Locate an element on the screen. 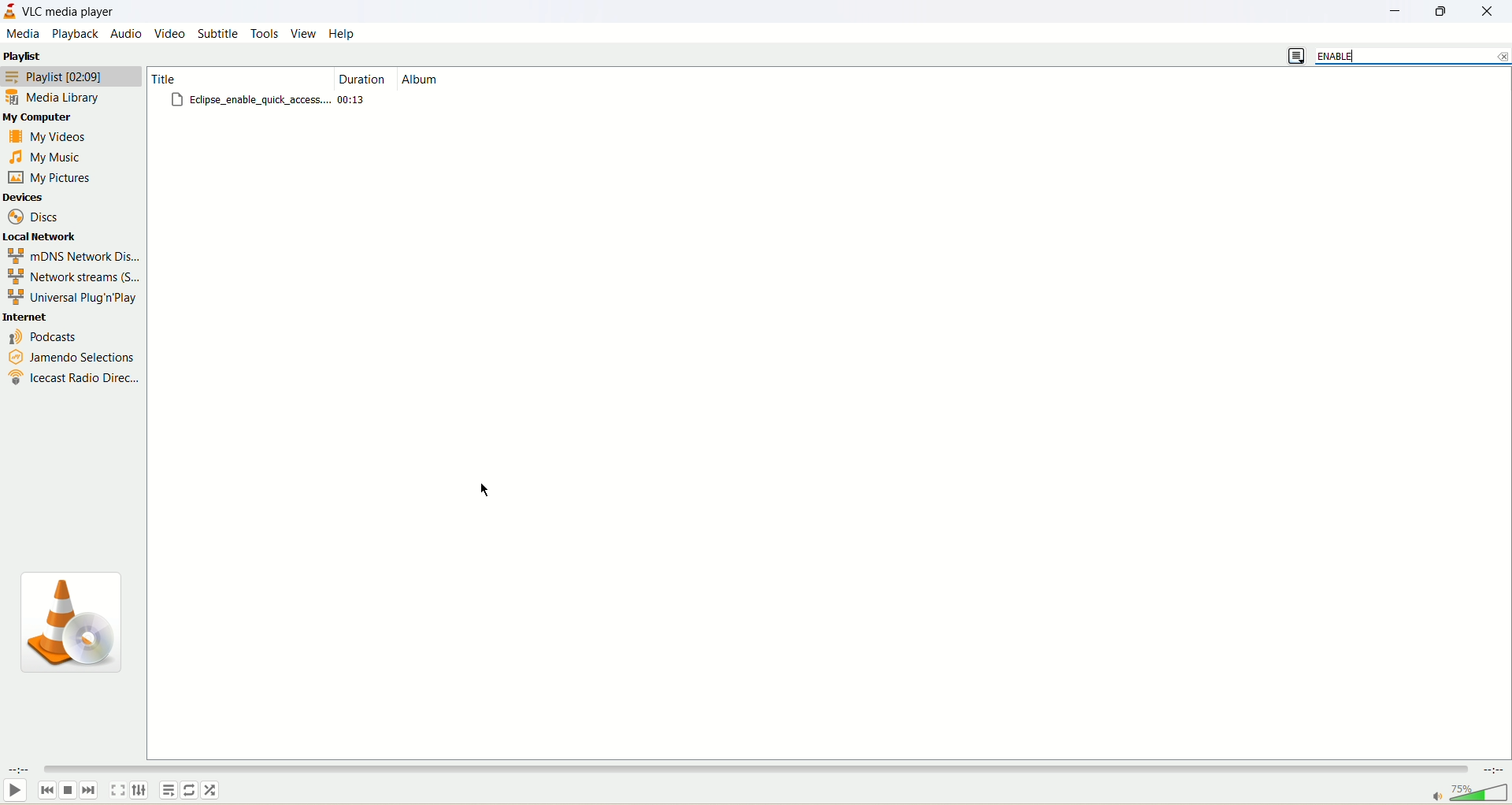  random is located at coordinates (213, 791).